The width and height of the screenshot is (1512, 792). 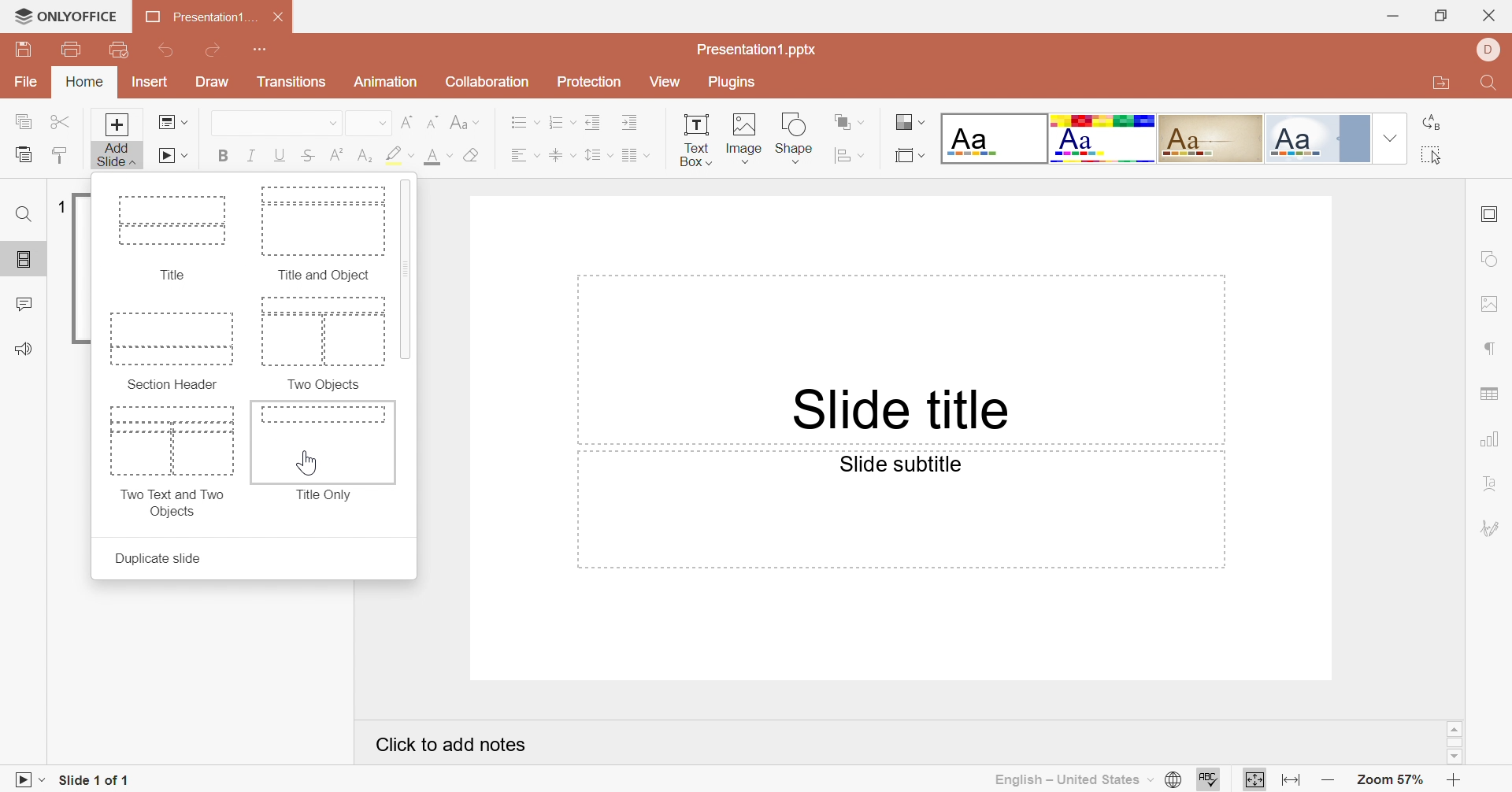 I want to click on Increment font size, so click(x=409, y=124).